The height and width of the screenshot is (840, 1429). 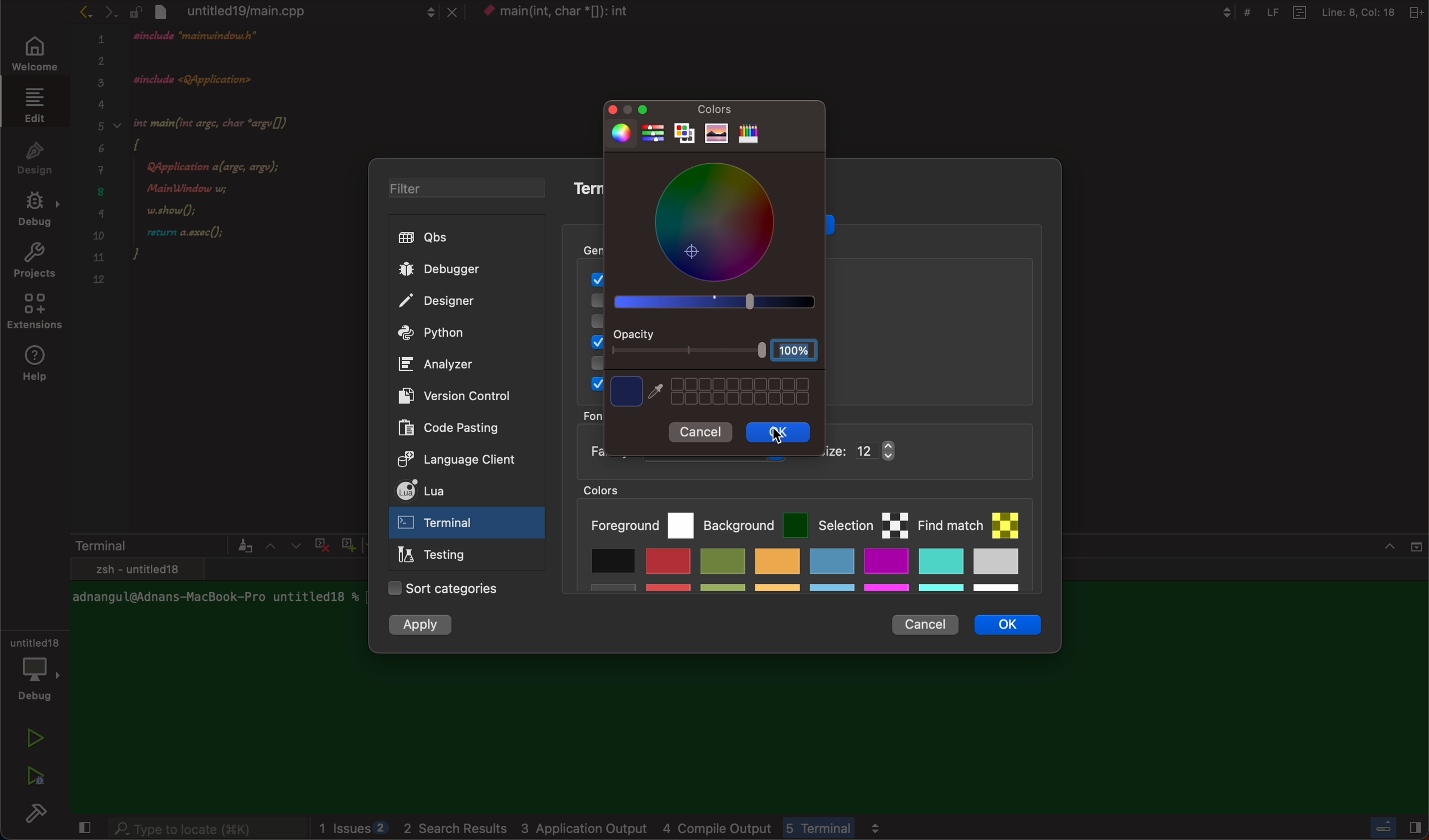 I want to click on language client, so click(x=446, y=458).